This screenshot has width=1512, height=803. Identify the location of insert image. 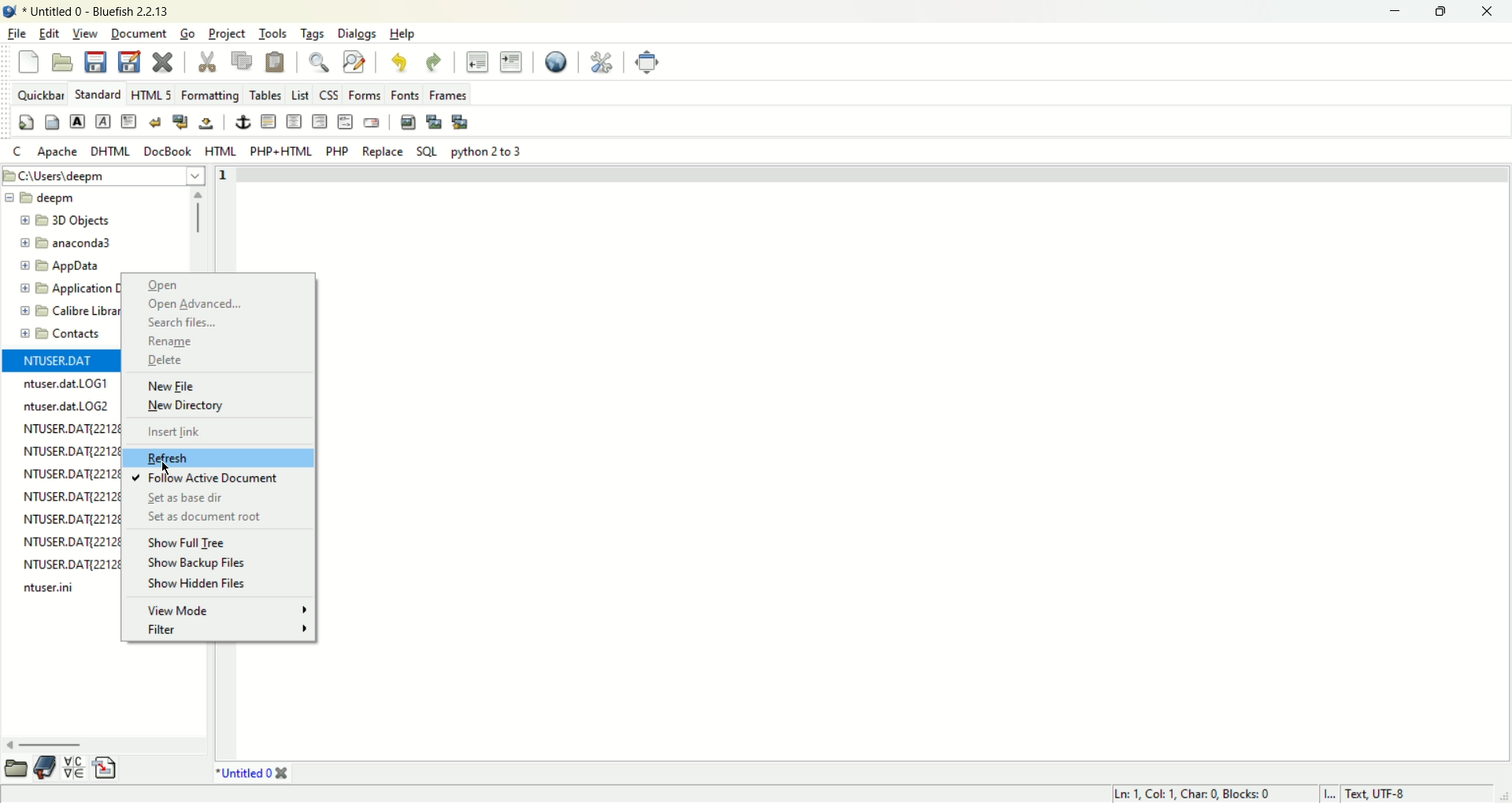
(408, 124).